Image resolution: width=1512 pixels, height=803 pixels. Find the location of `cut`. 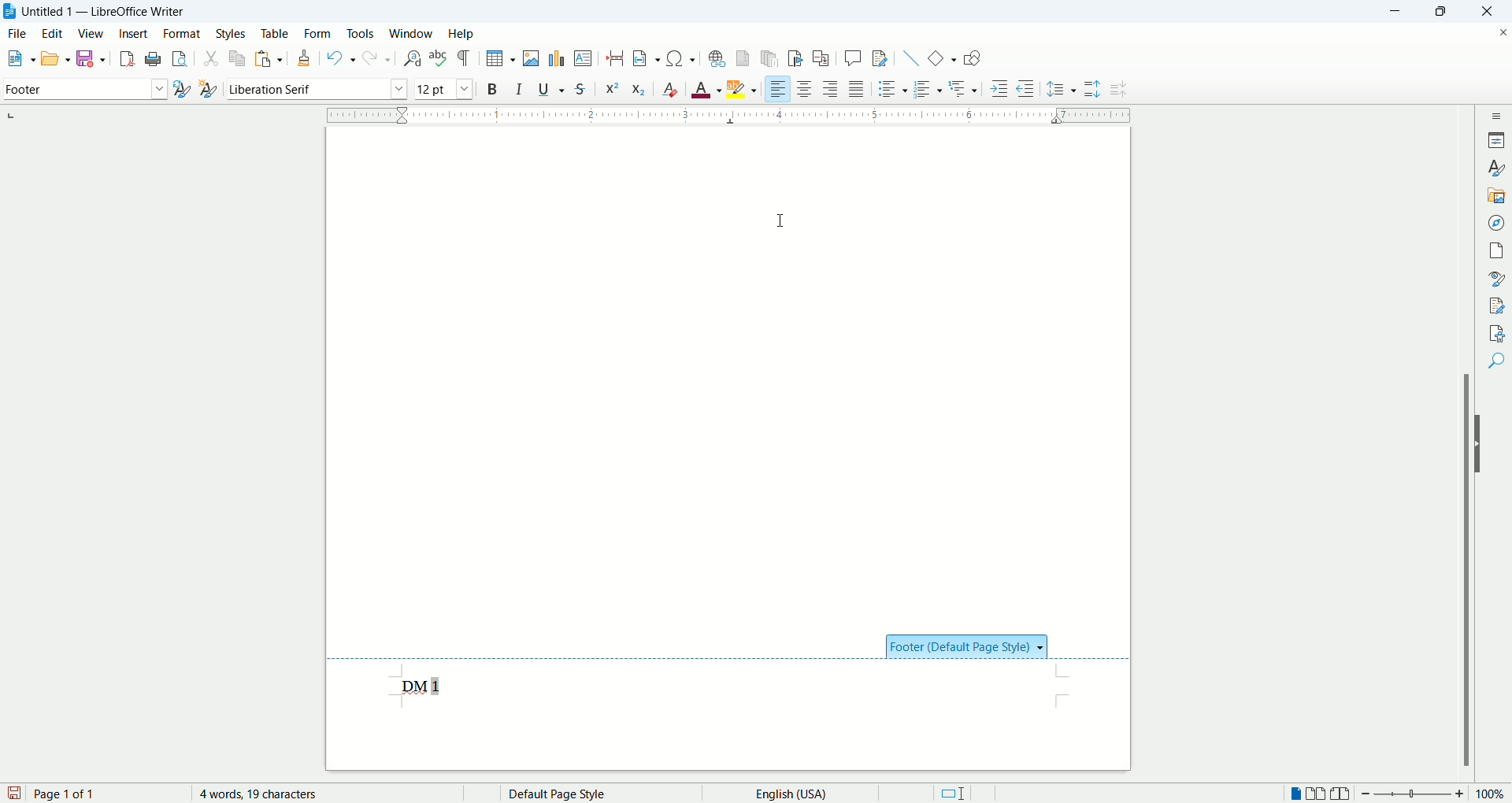

cut is located at coordinates (211, 60).